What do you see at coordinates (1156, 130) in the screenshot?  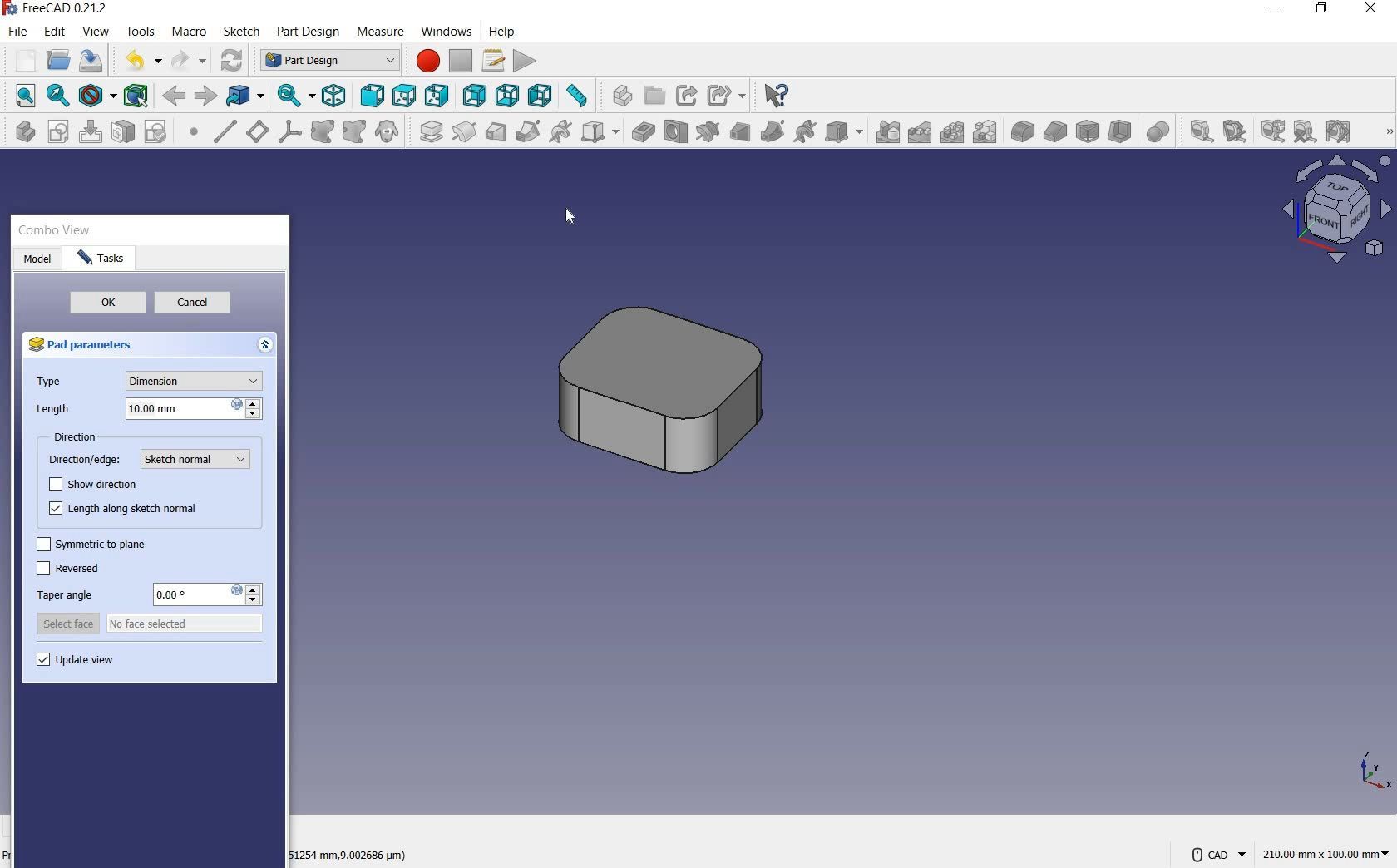 I see `Boolean operation` at bounding box center [1156, 130].